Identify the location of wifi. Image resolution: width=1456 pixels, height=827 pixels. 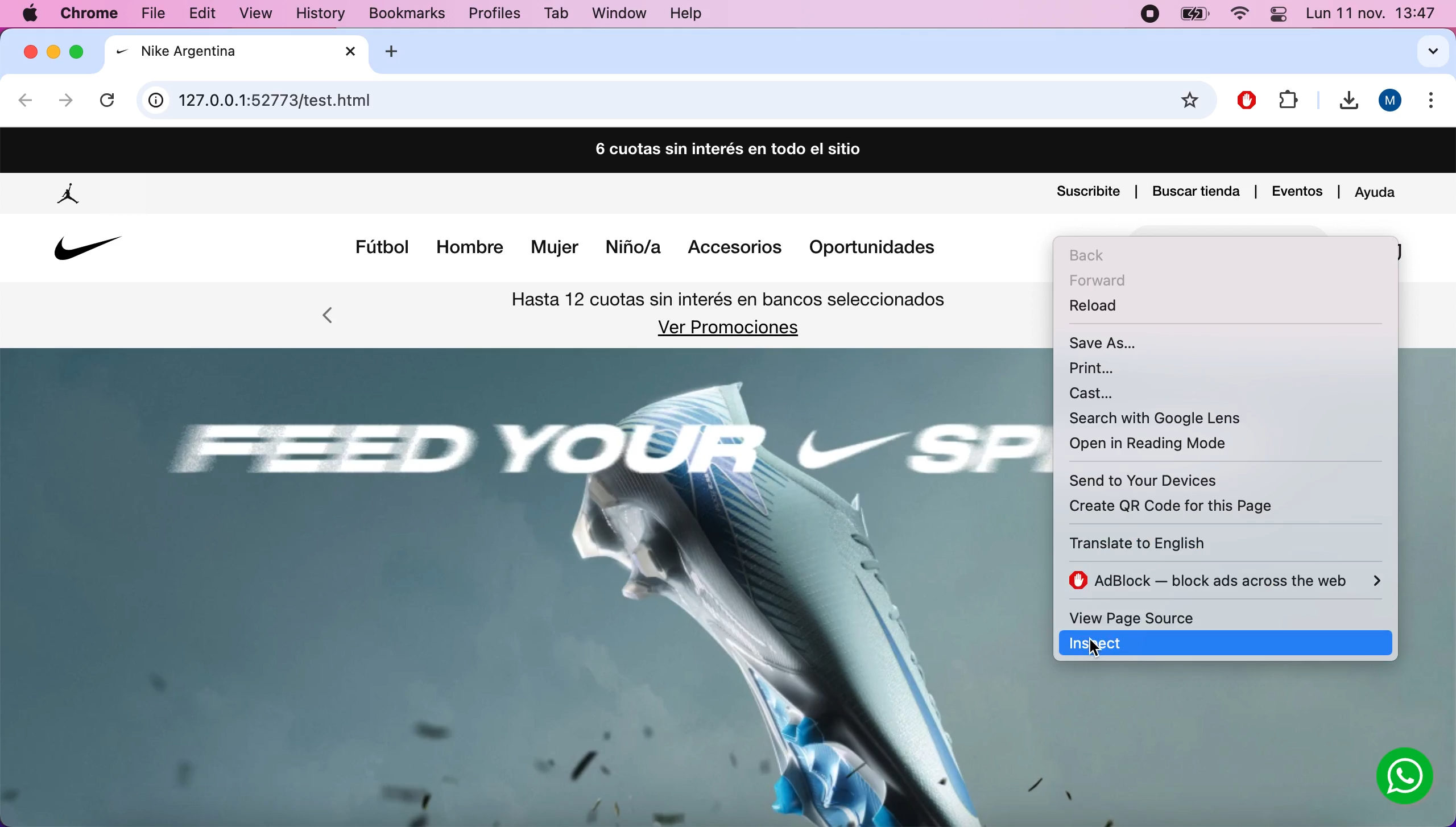
(1239, 16).